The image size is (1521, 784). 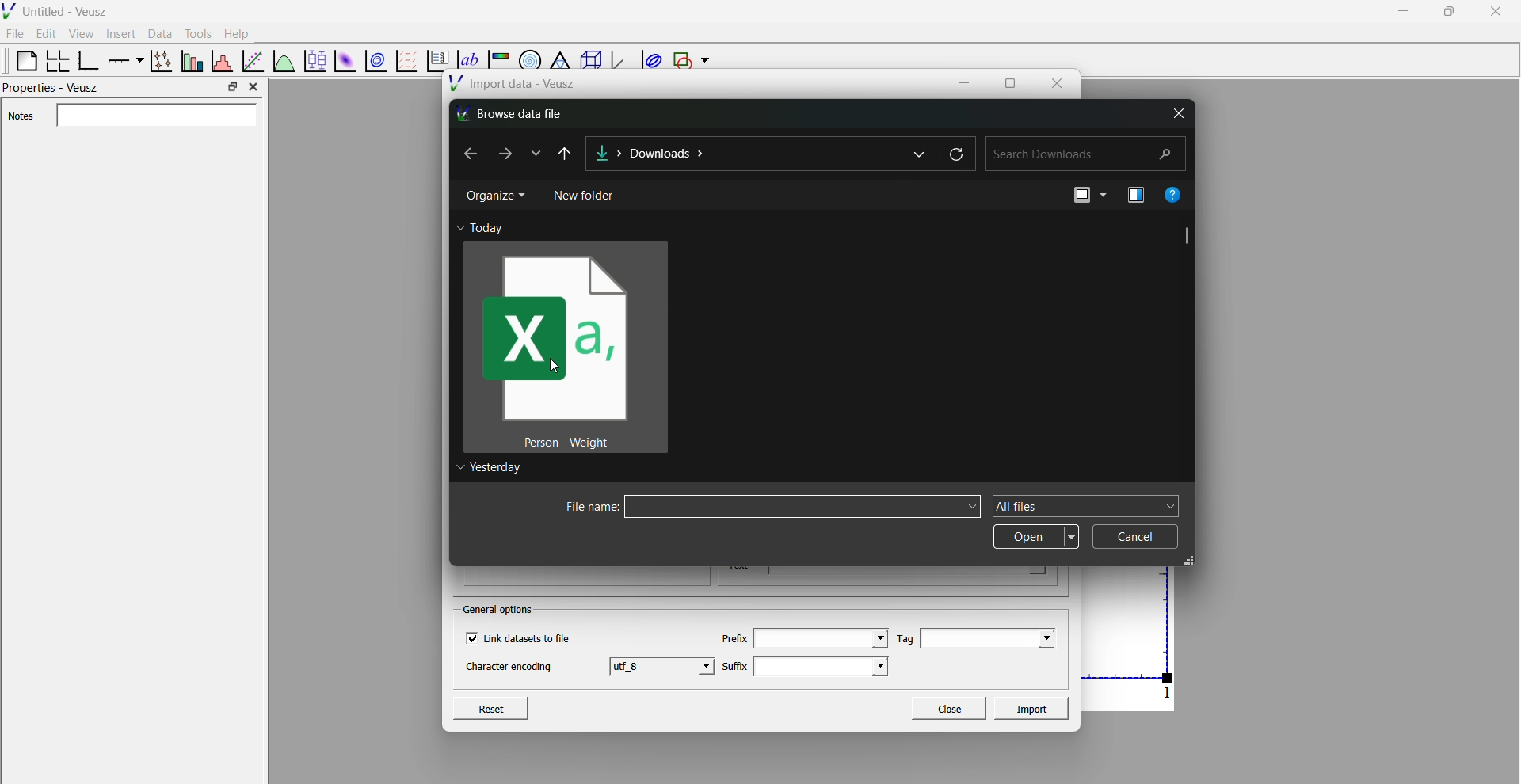 What do you see at coordinates (829, 666) in the screenshot?
I see `suffix dropdown` at bounding box center [829, 666].